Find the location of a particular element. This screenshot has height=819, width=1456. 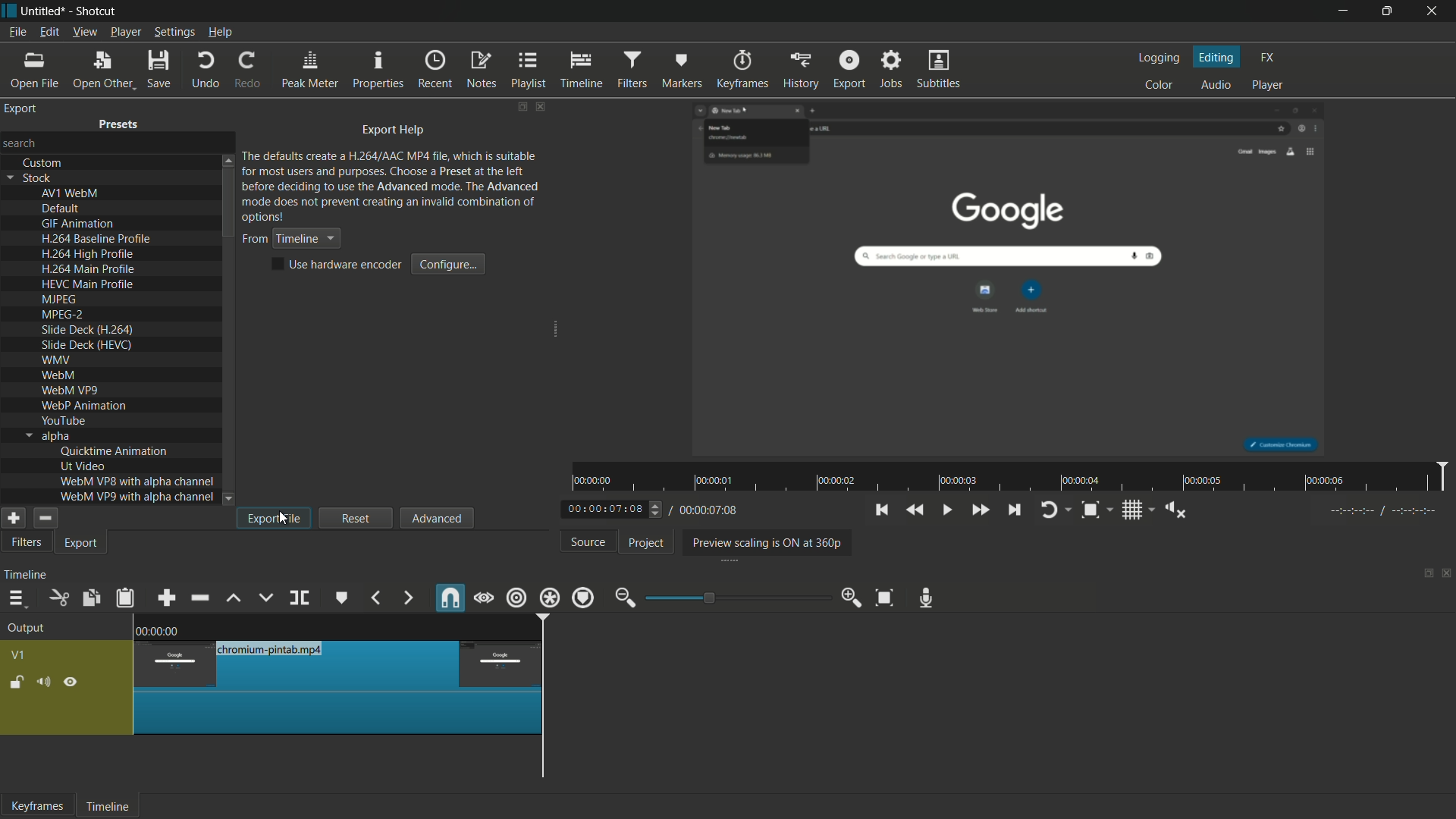

settings menu is located at coordinates (174, 33).